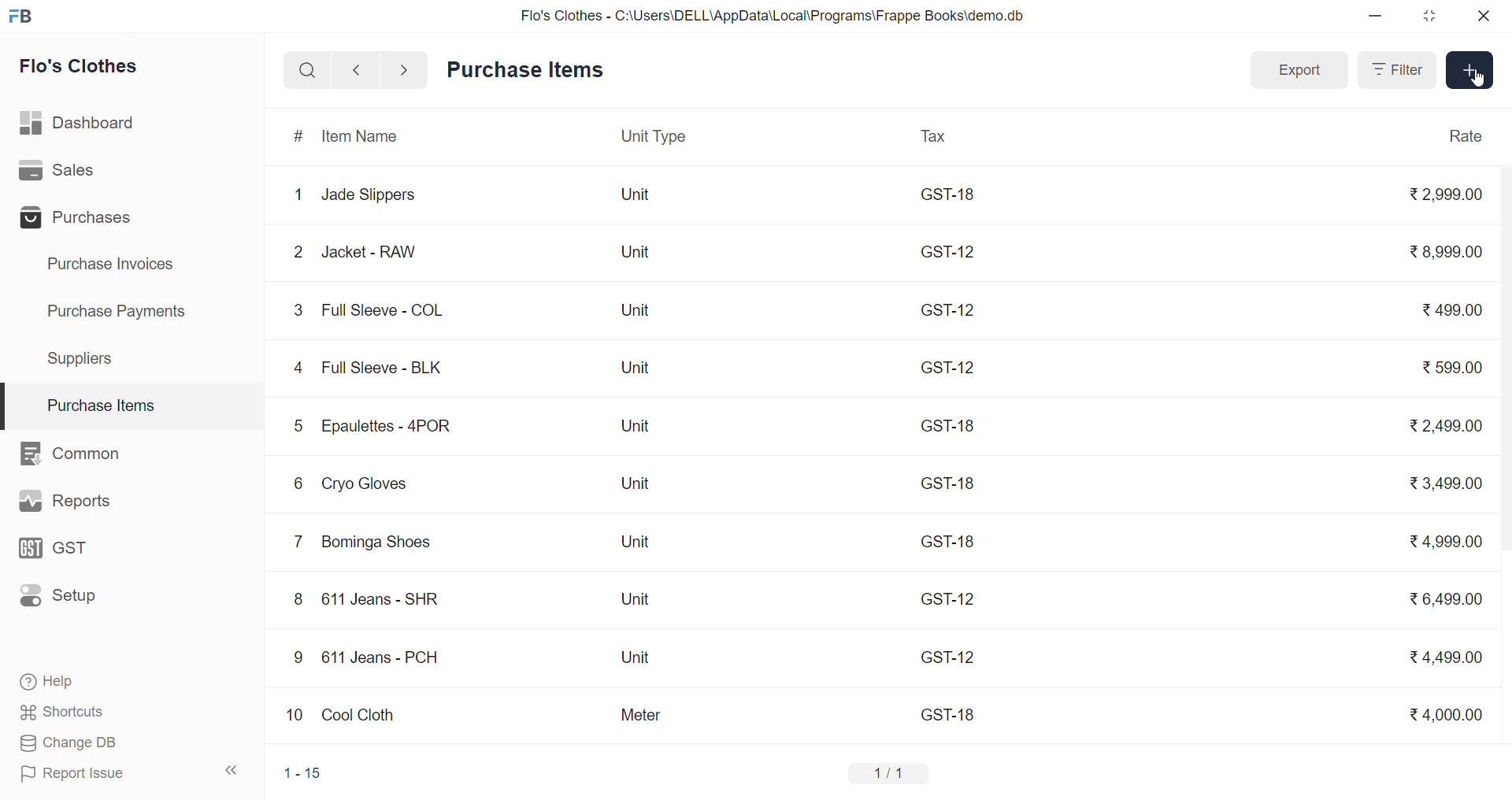  Describe the element at coordinates (294, 713) in the screenshot. I see `10` at that location.